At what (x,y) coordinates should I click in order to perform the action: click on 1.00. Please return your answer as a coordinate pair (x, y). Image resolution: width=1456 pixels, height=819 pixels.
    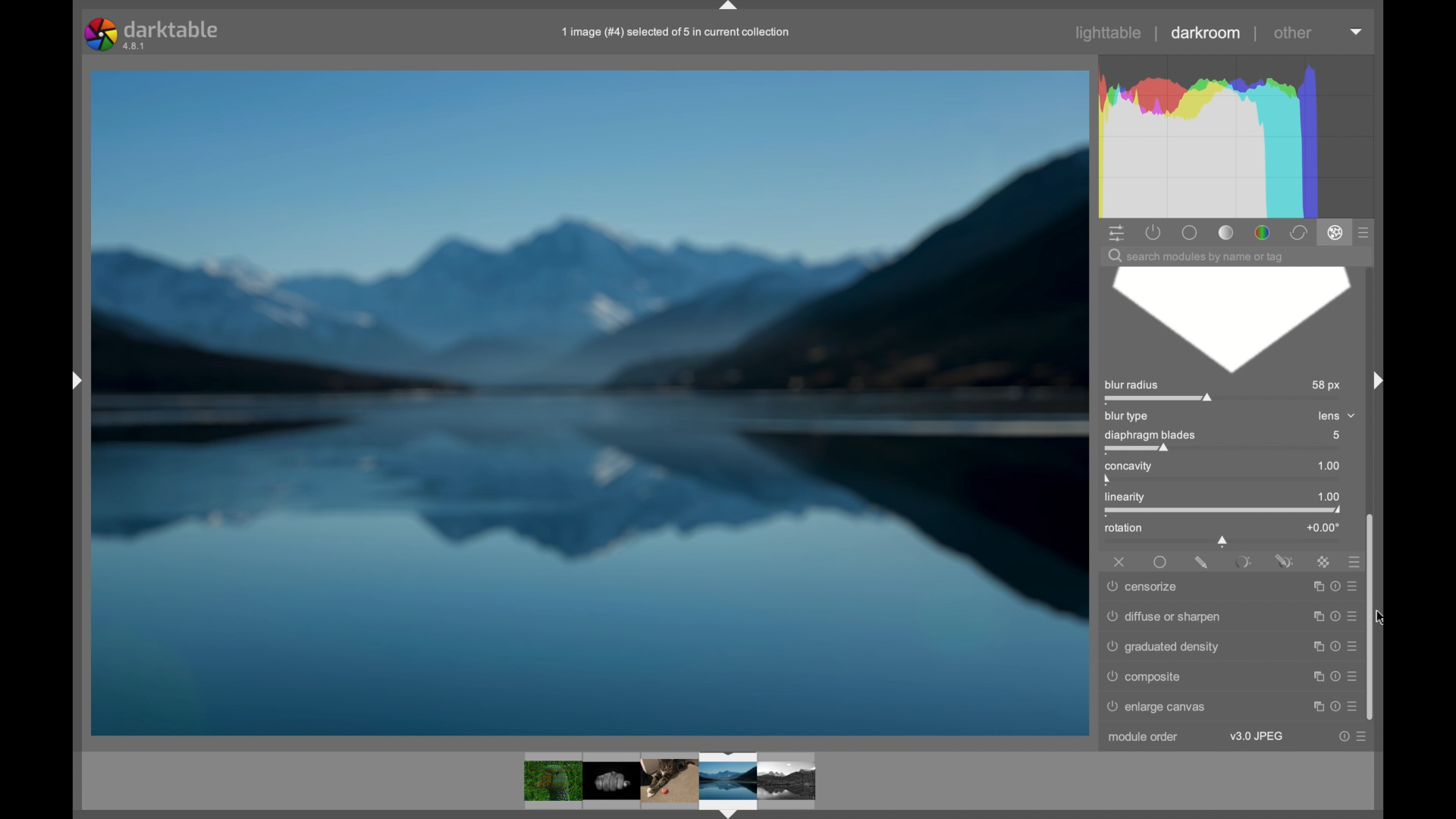
    Looking at the image, I should click on (1322, 497).